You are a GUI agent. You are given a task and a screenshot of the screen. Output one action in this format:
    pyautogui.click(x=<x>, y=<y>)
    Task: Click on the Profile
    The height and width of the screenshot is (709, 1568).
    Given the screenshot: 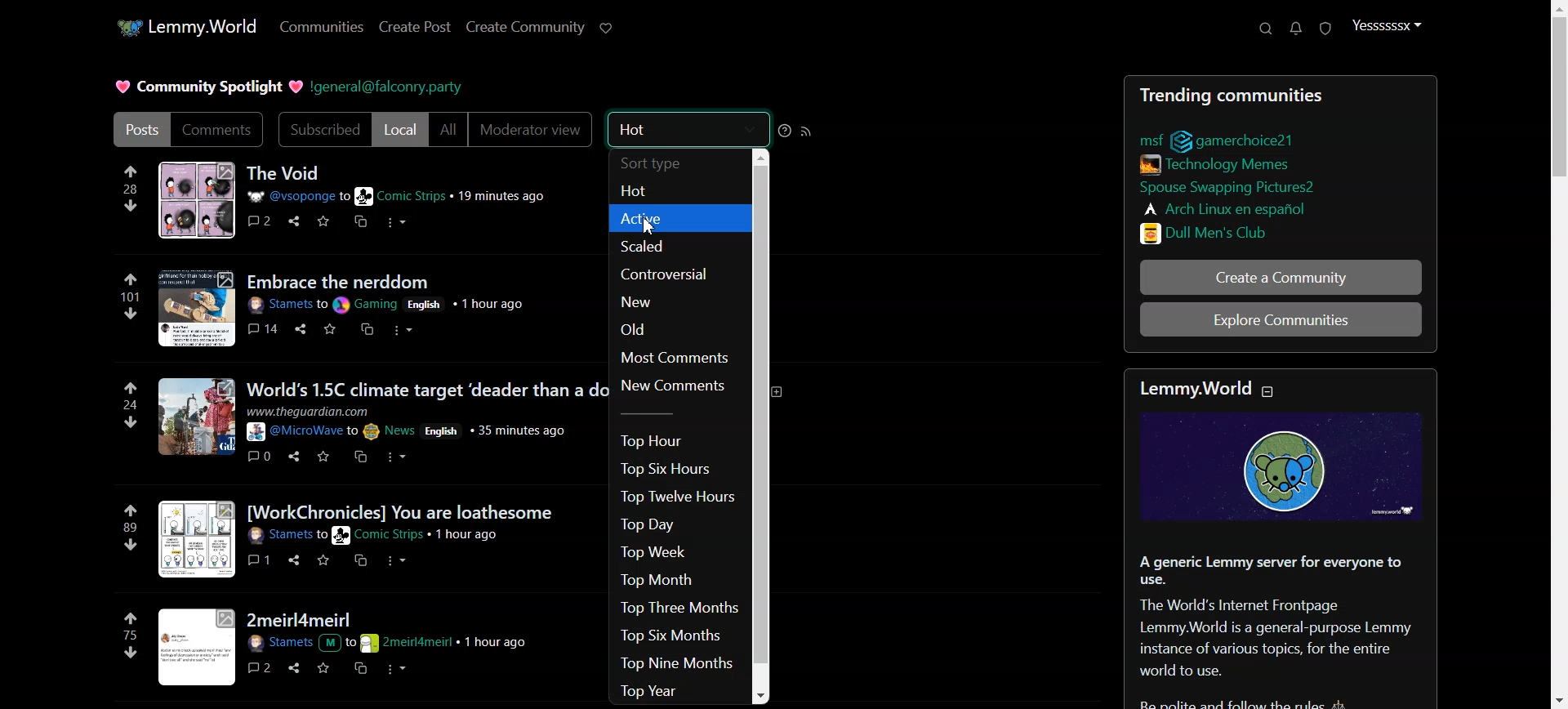 What is the action you would take?
    pyautogui.click(x=1386, y=25)
    